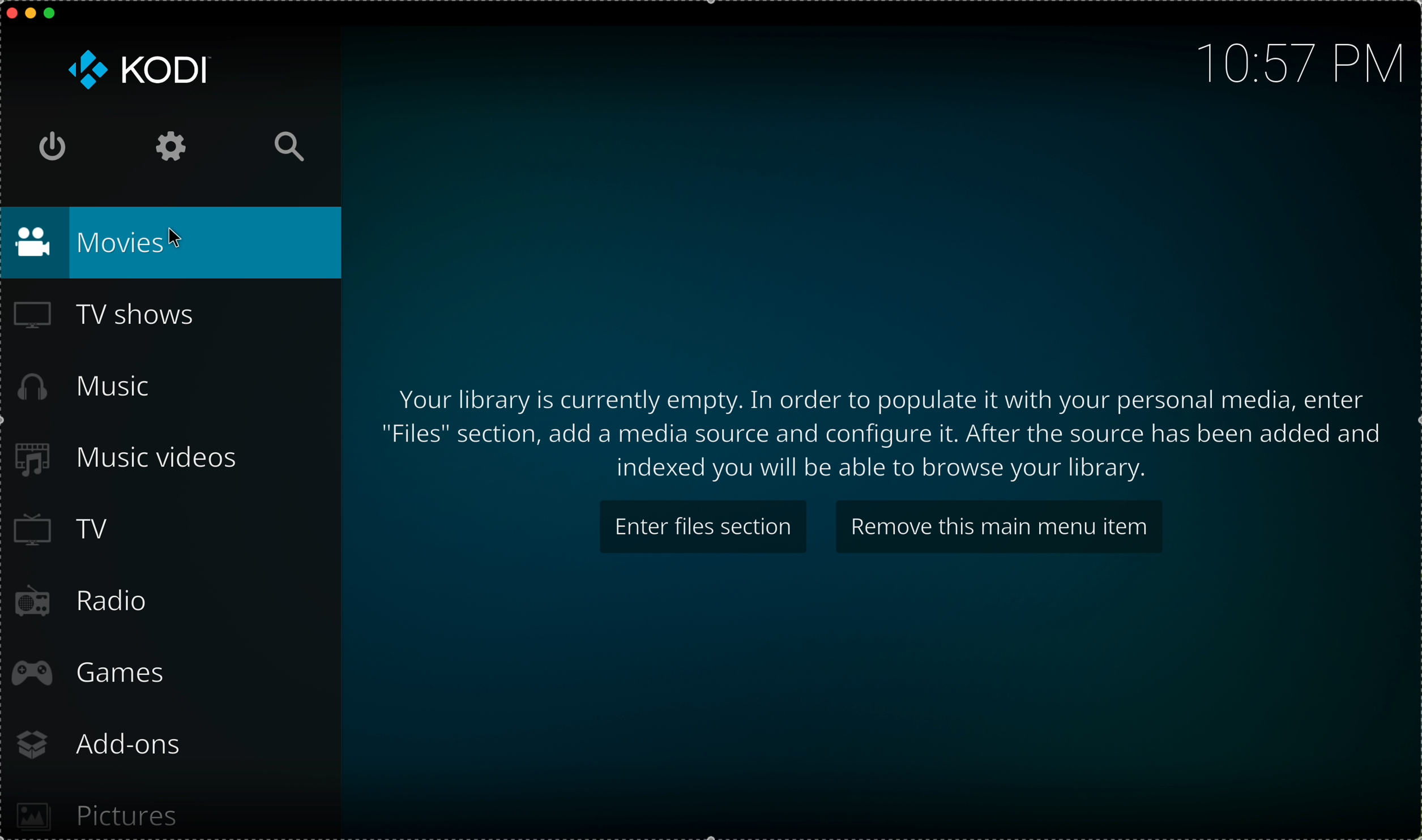  I want to click on shut down, so click(58, 147).